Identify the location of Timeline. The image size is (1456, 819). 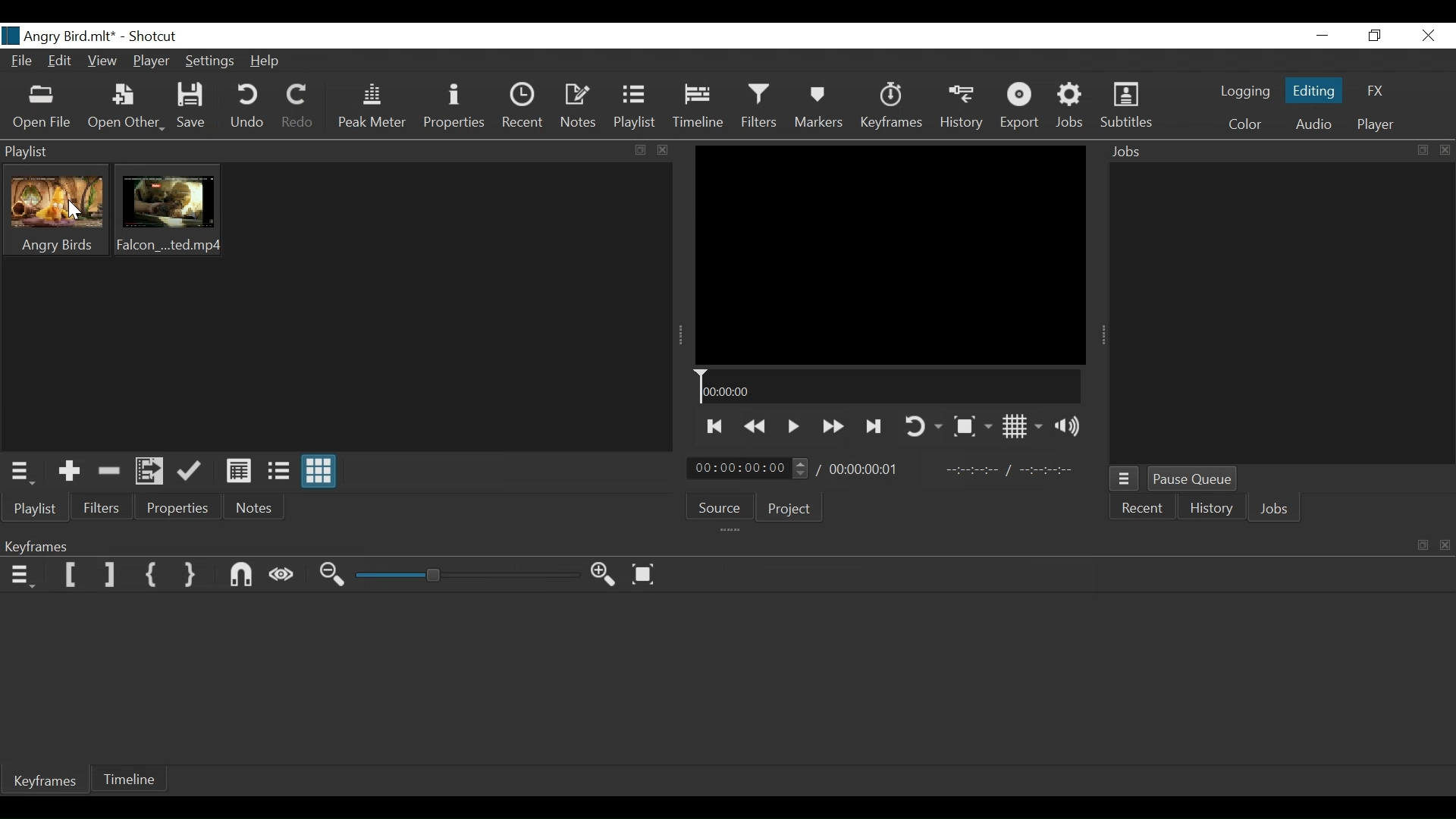
(131, 780).